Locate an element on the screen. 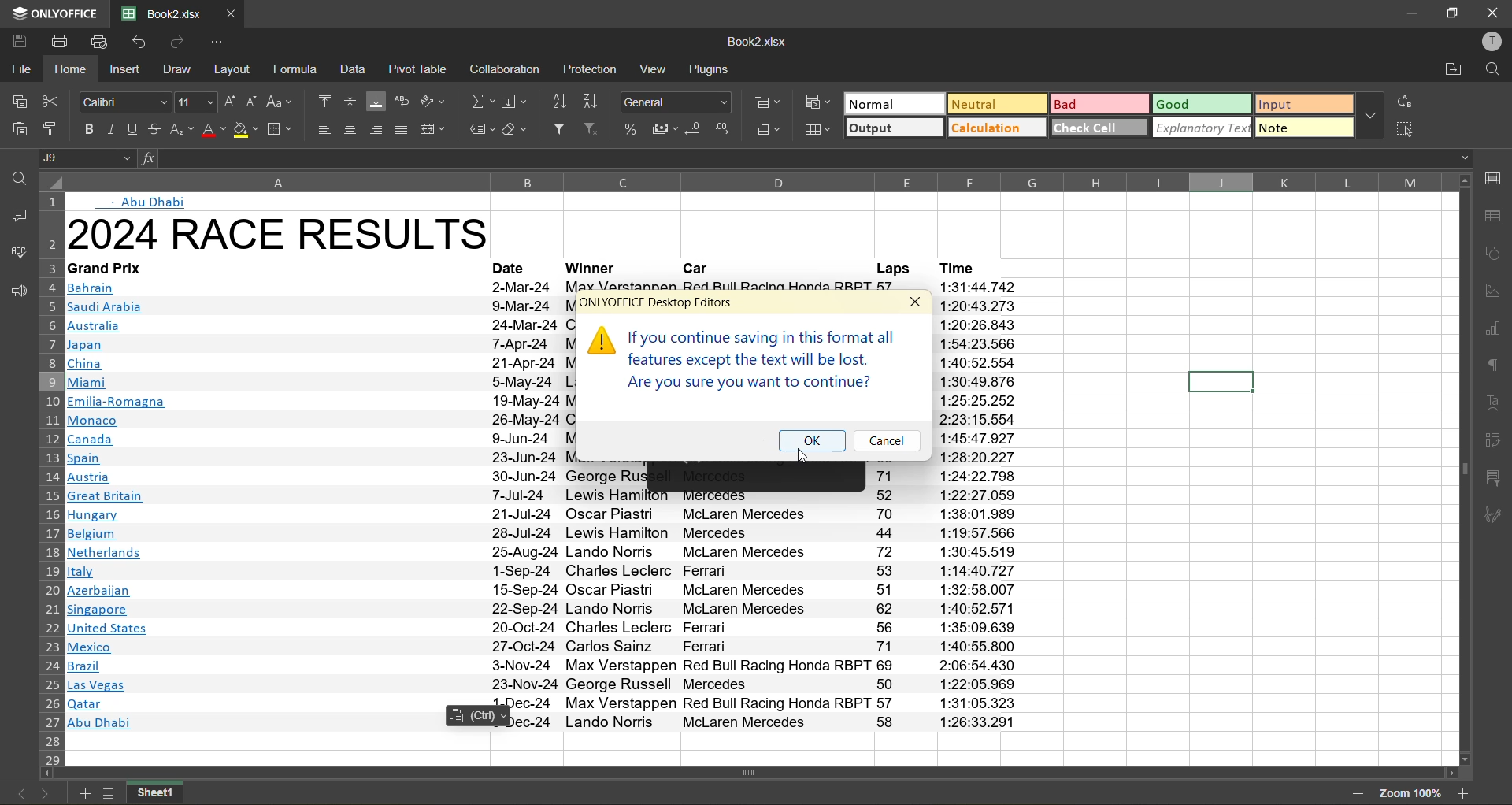 The image size is (1512, 805). formula is located at coordinates (299, 69).